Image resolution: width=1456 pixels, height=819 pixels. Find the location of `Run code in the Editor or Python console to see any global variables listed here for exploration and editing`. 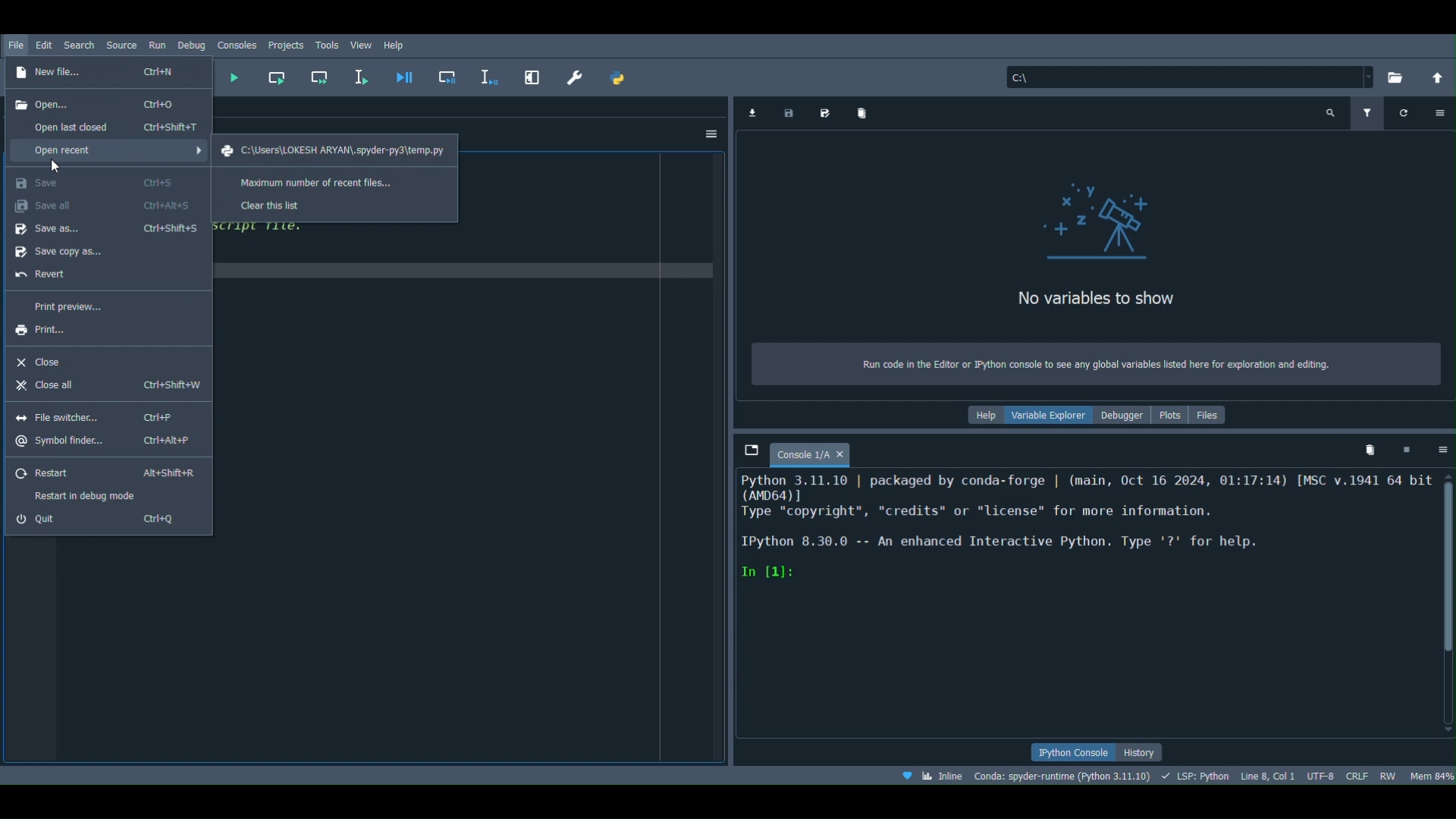

Run code in the Editor or Python console to see any global variables listed here for exploration and editing is located at coordinates (1097, 365).